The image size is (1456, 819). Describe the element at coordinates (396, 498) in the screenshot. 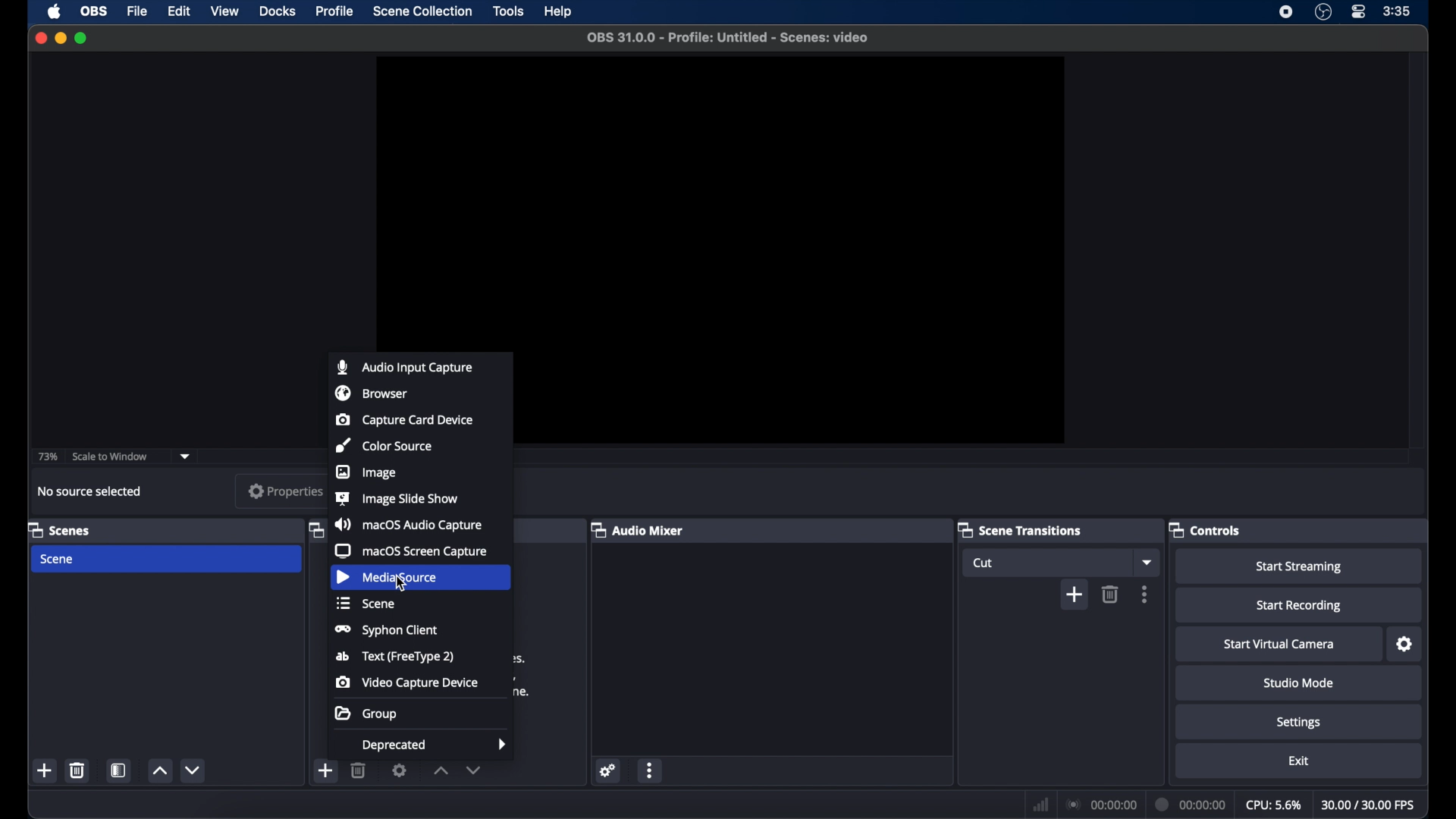

I see `image slideshow` at that location.